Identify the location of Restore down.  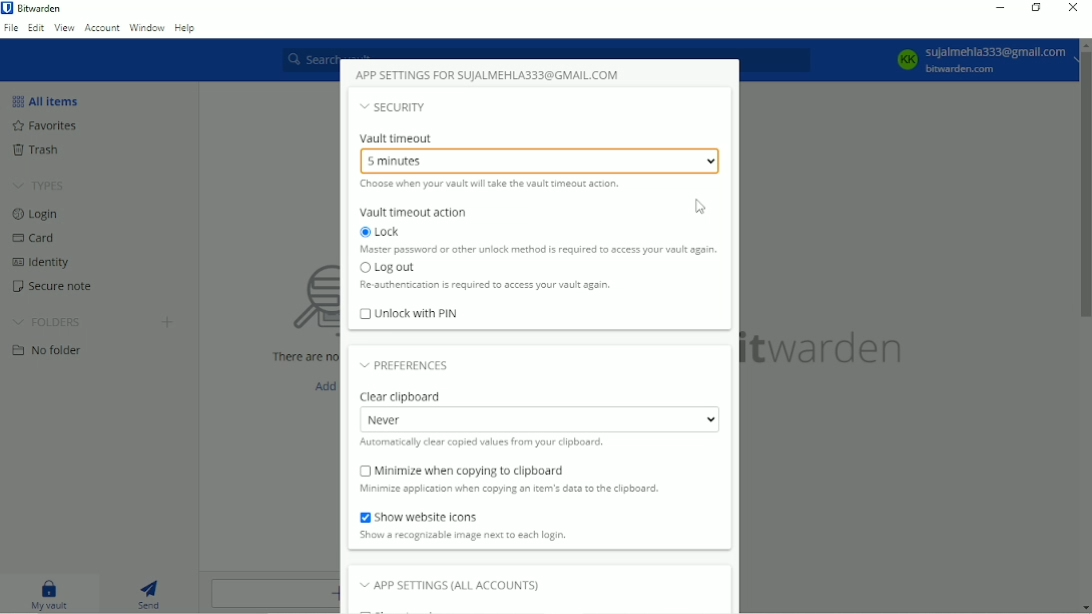
(1034, 8).